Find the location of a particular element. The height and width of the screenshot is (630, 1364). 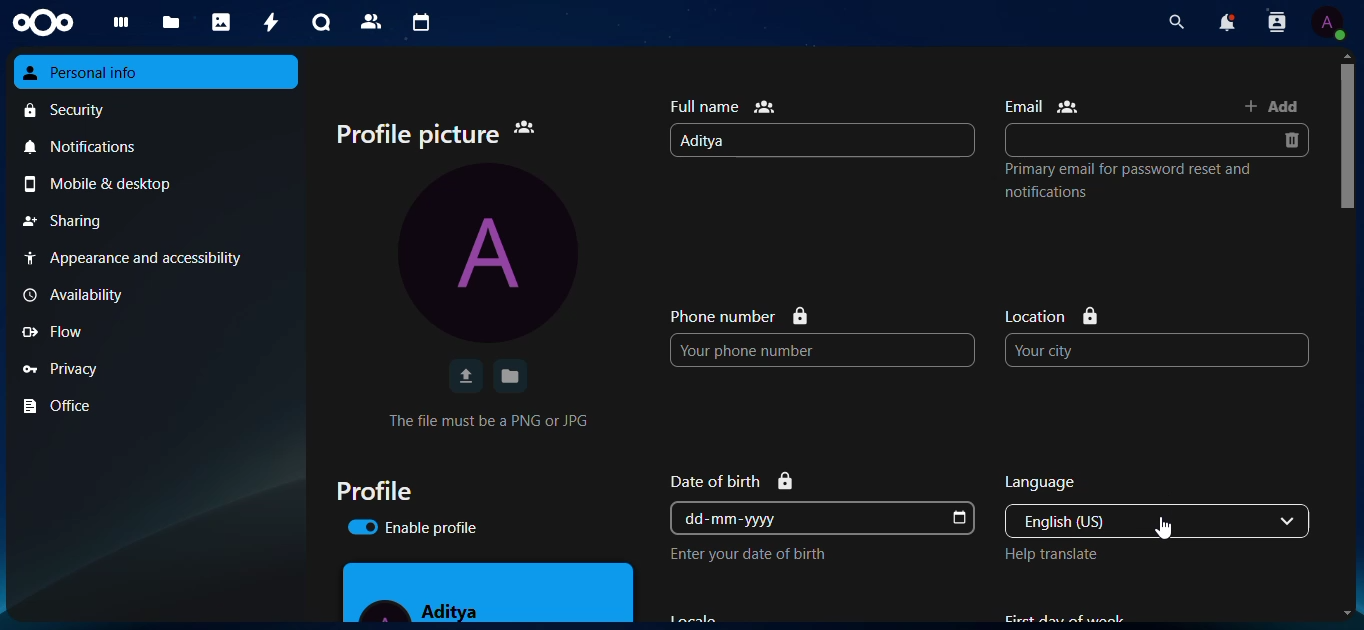

availability is located at coordinates (83, 295).